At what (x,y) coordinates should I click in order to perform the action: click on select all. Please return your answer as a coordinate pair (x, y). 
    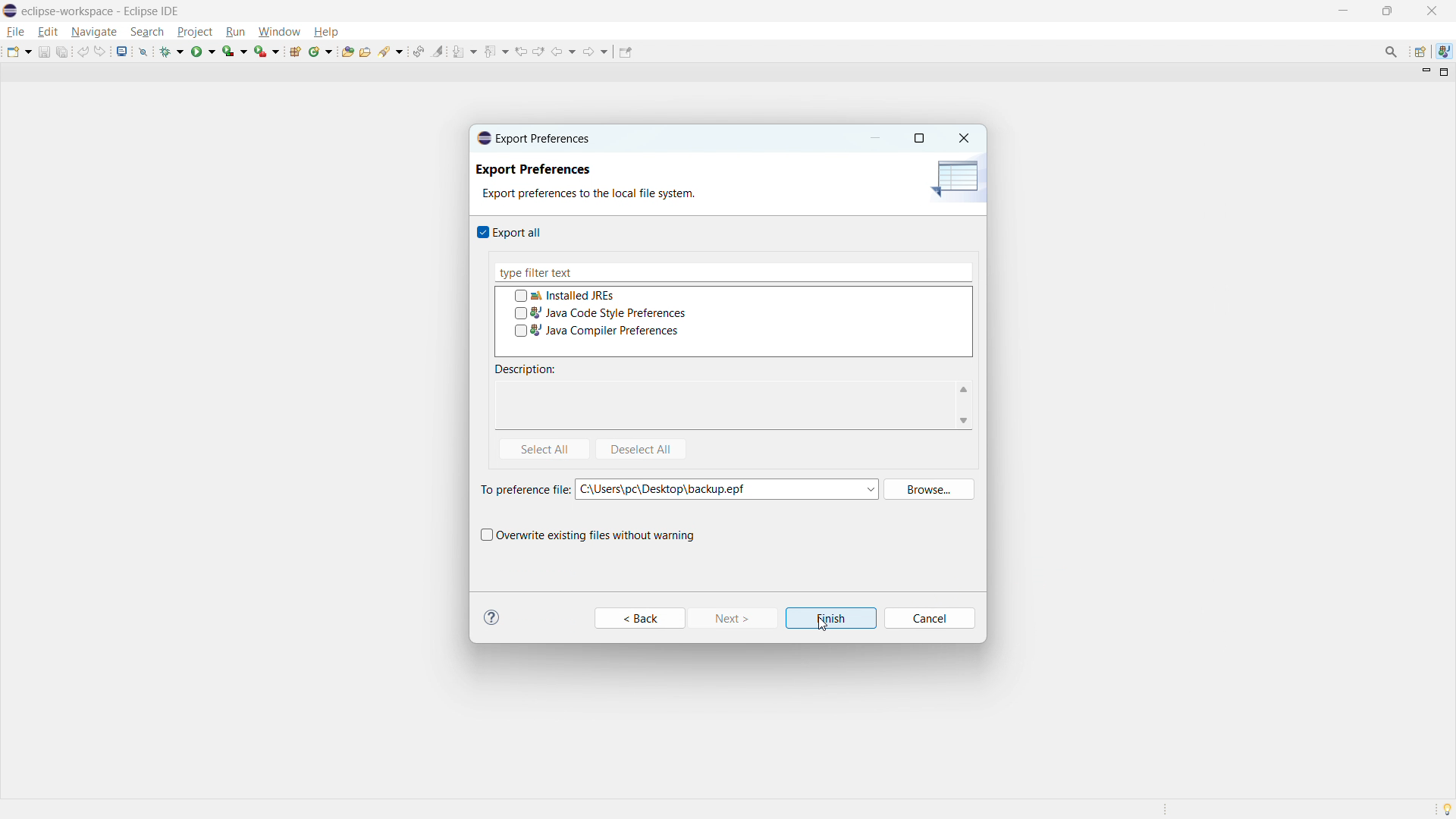
    Looking at the image, I should click on (544, 449).